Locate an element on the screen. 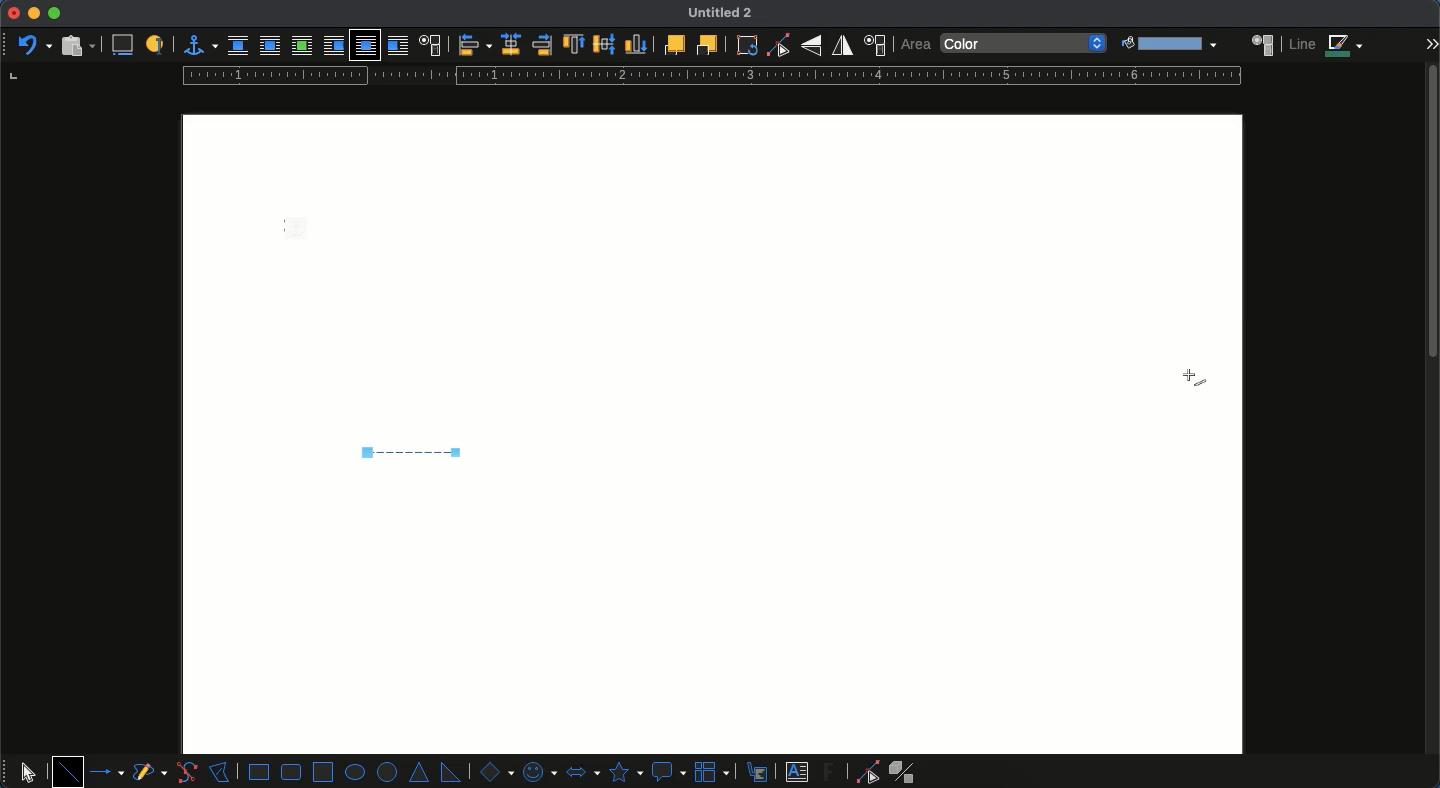 This screenshot has height=788, width=1440. stars and banners is located at coordinates (624, 772).